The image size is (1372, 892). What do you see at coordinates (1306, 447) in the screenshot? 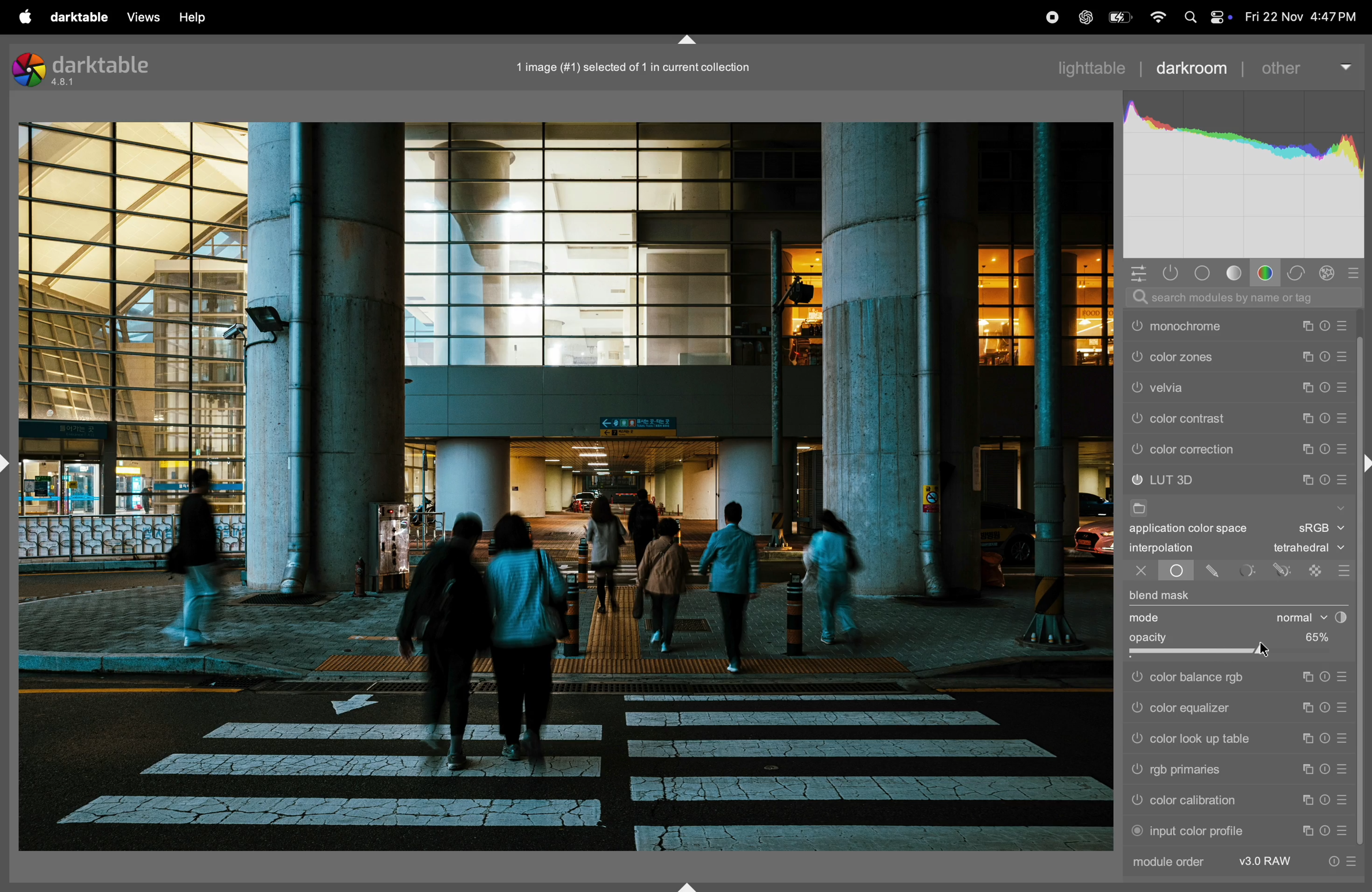
I see `multiple instance actions` at bounding box center [1306, 447].